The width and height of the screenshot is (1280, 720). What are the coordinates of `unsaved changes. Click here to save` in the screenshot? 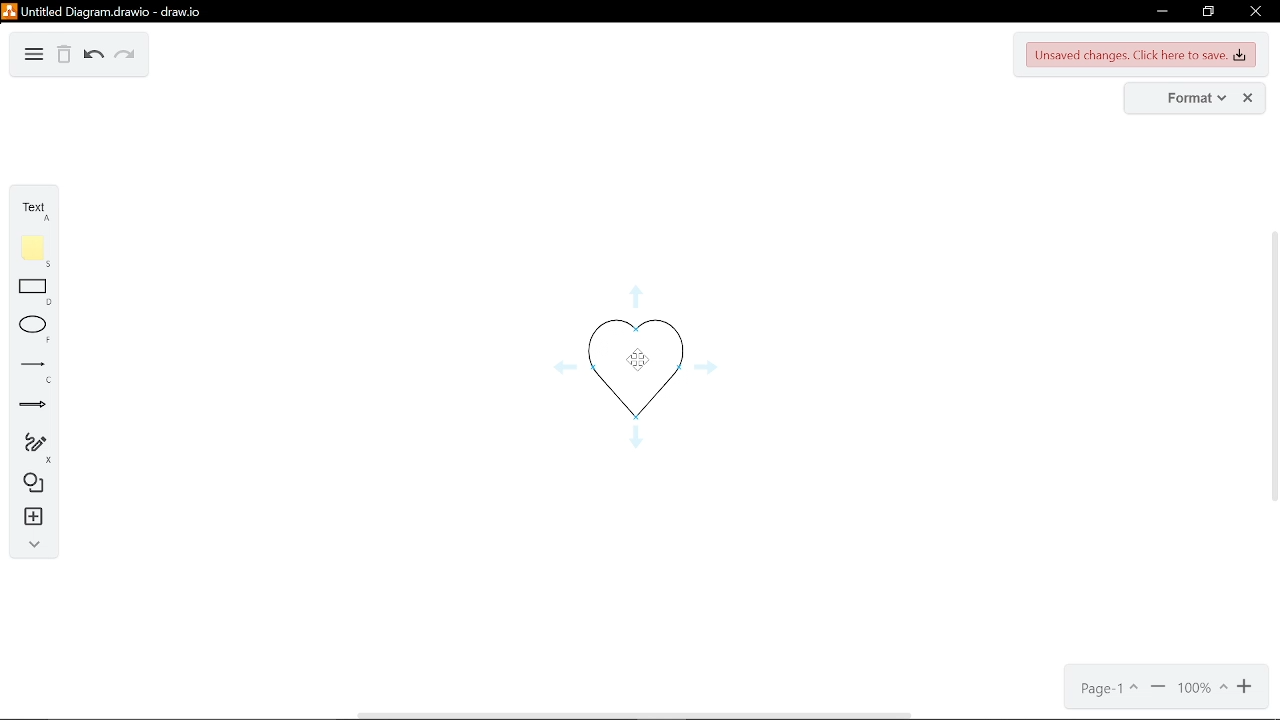 It's located at (1142, 56).